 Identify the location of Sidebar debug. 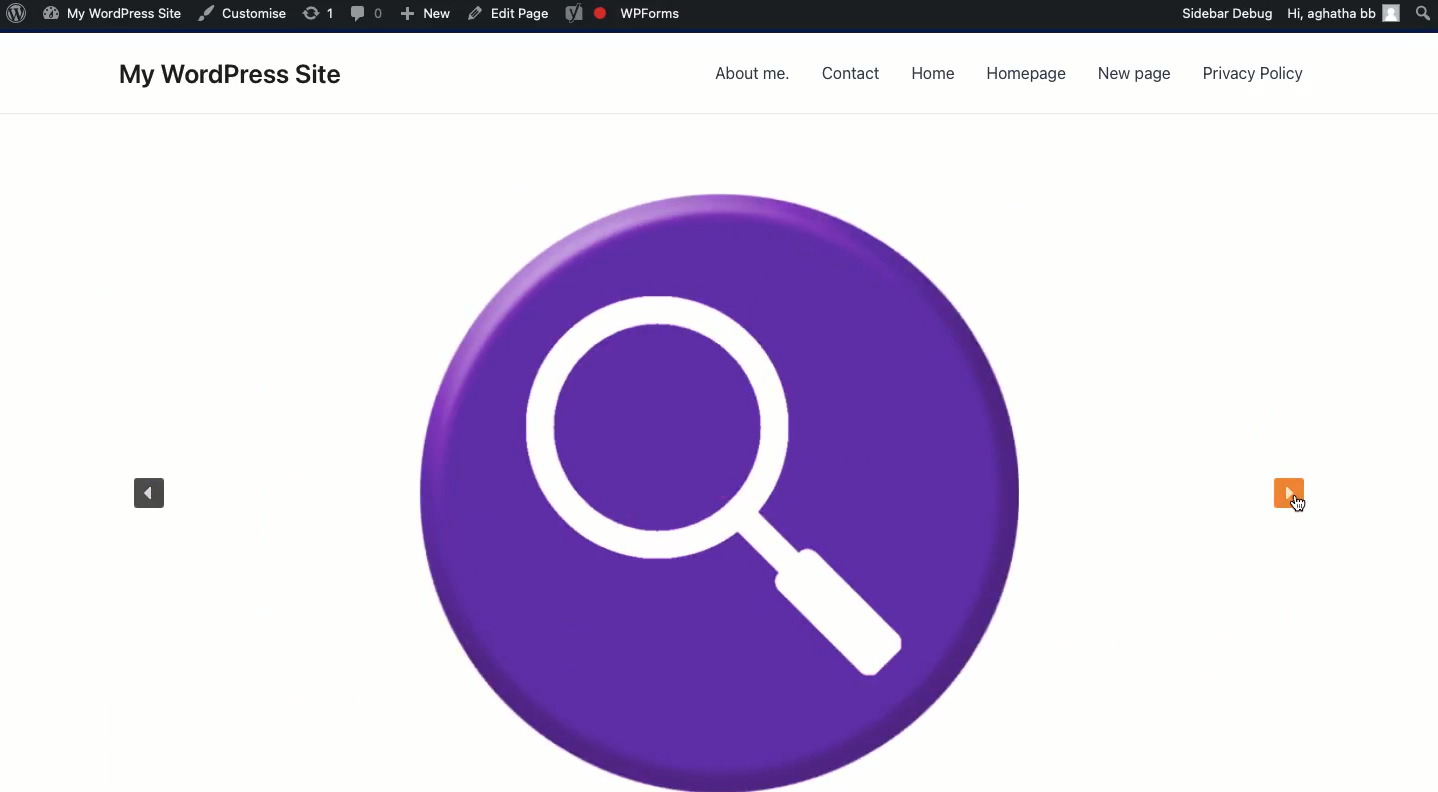
(1229, 14).